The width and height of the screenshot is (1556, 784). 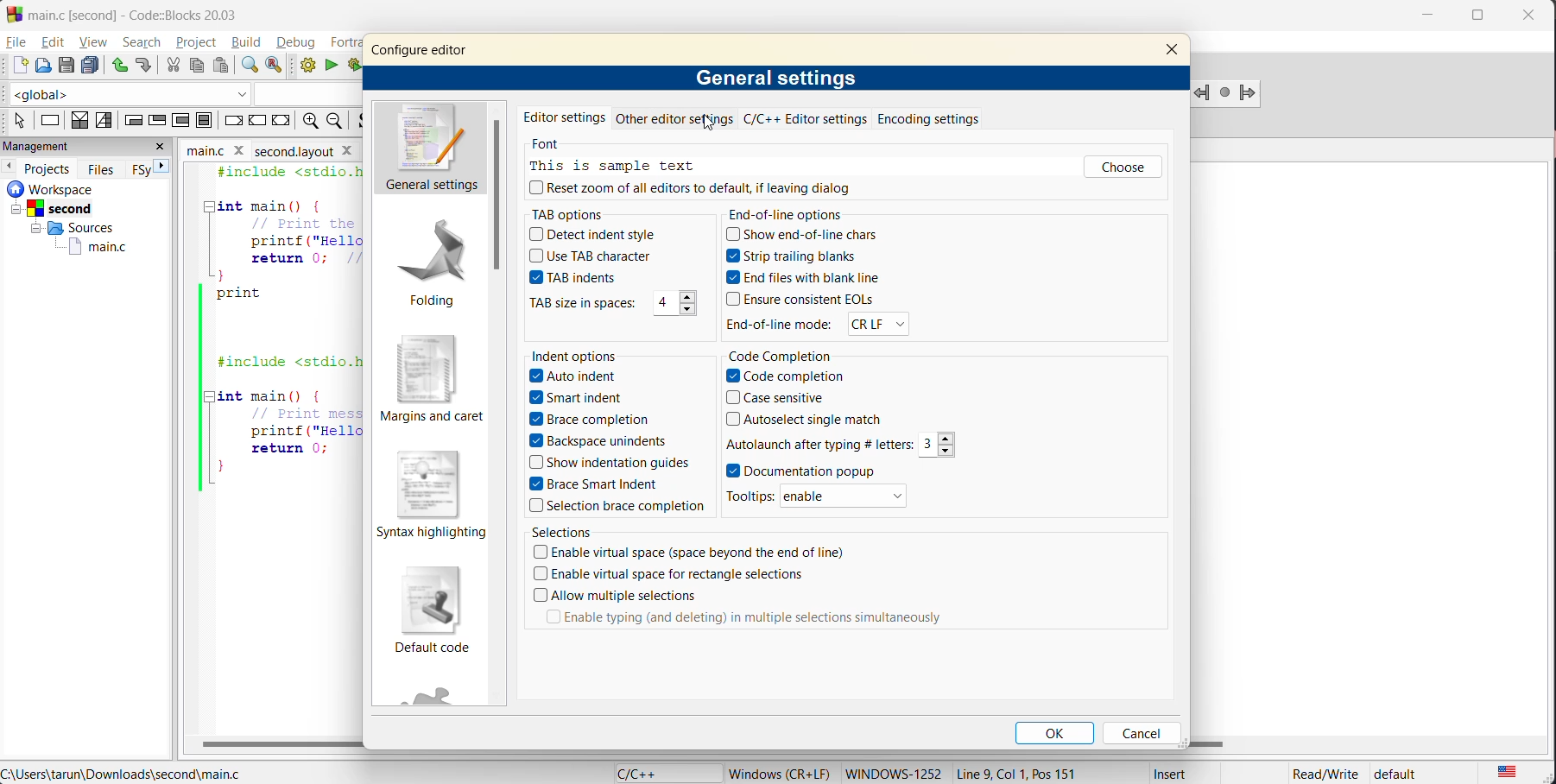 What do you see at coordinates (300, 43) in the screenshot?
I see `debug` at bounding box center [300, 43].